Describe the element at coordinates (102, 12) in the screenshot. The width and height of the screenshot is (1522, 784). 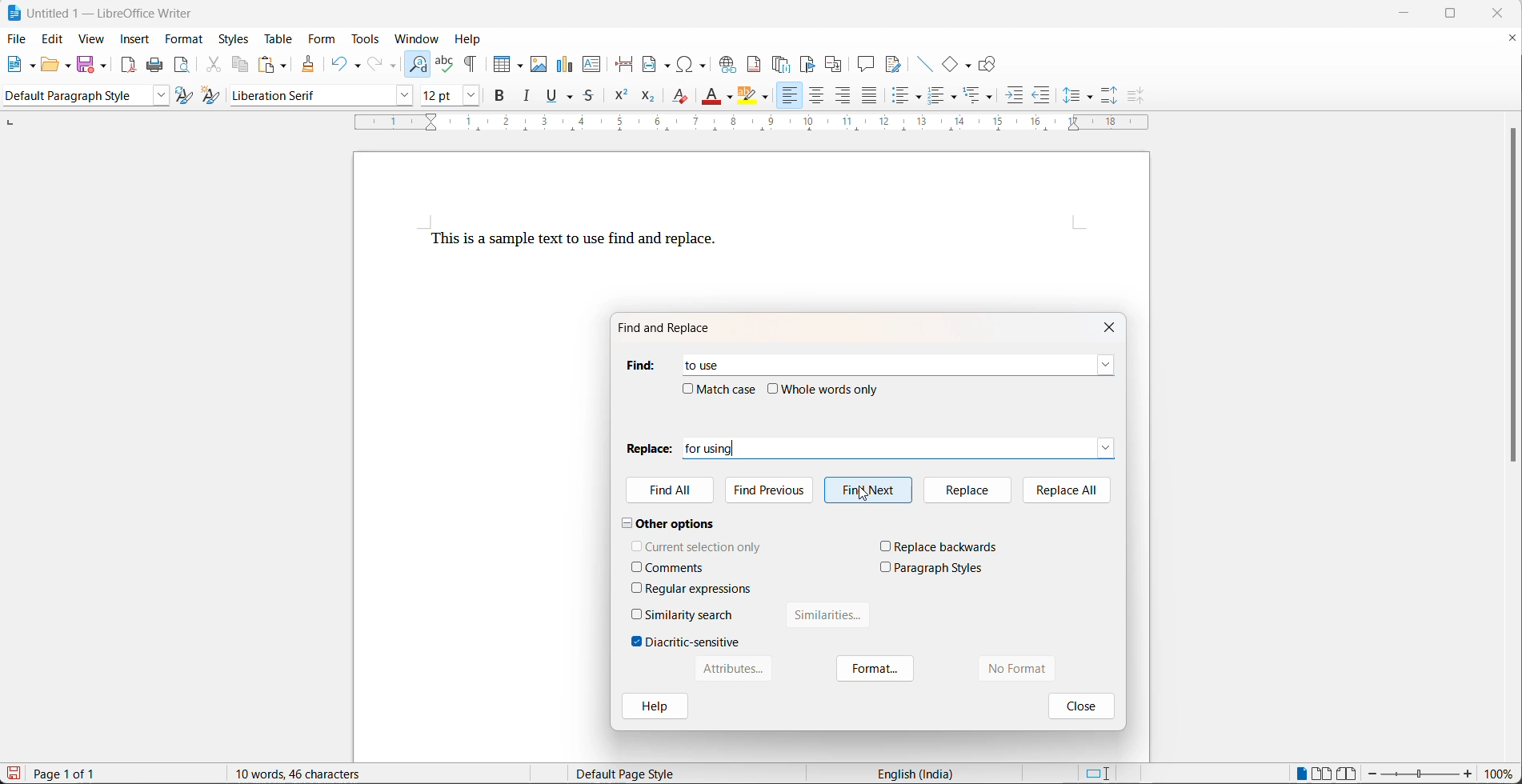
I see `Untitled 1 - LibreOffice Writer` at that location.